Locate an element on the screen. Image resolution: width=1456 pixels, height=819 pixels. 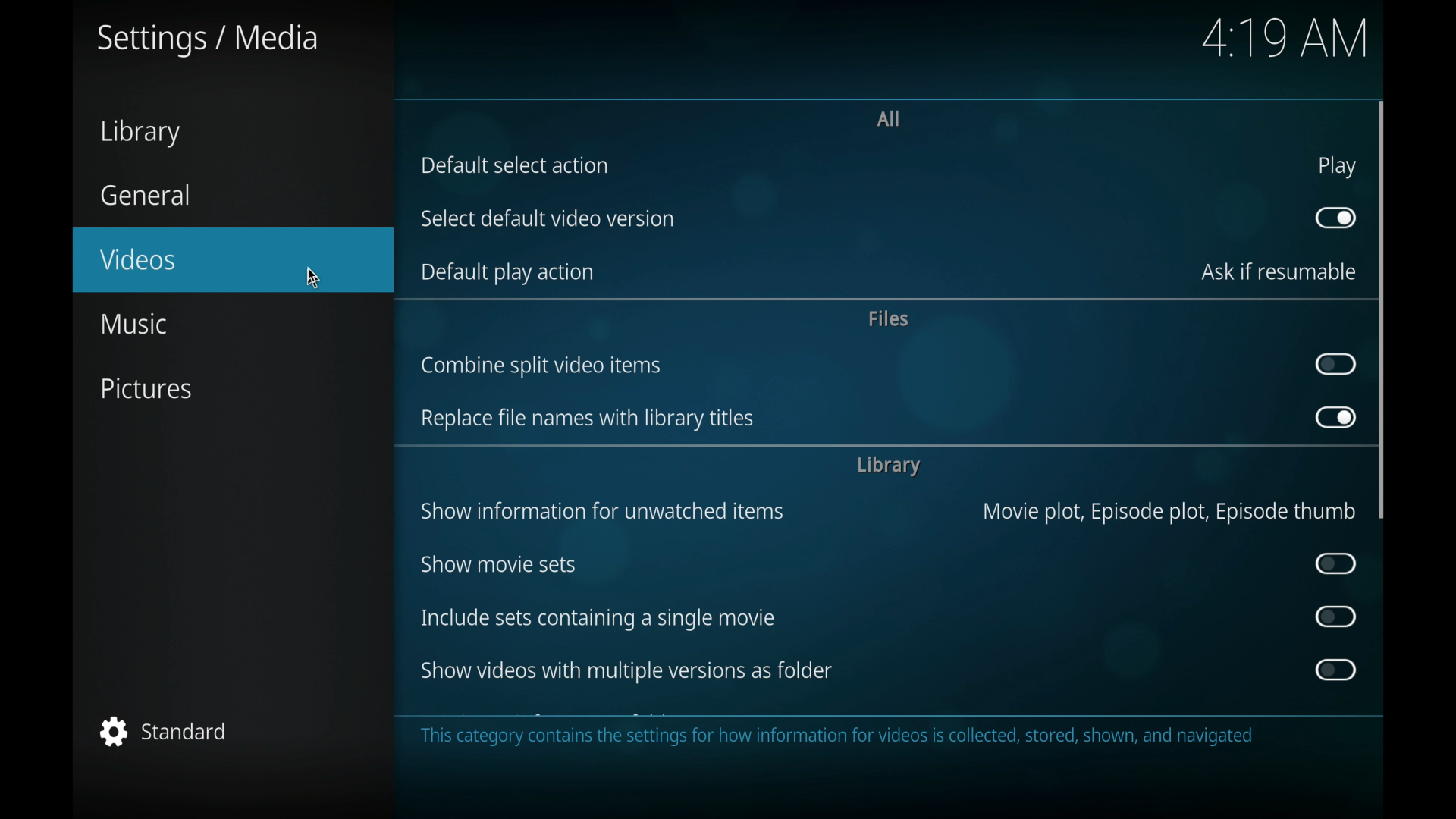
settings/ media is located at coordinates (205, 39).